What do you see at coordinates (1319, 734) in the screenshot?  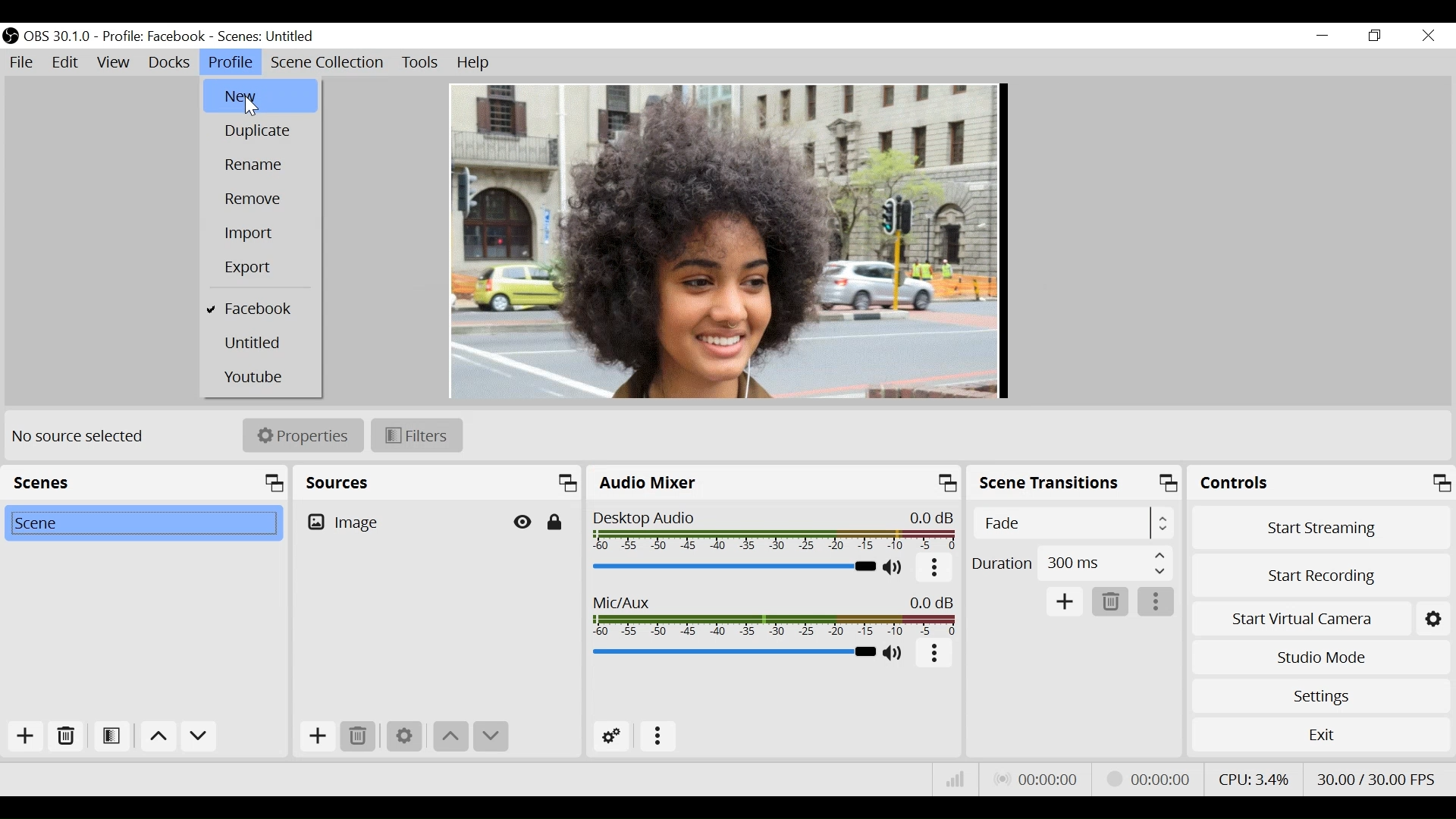 I see `Exit` at bounding box center [1319, 734].